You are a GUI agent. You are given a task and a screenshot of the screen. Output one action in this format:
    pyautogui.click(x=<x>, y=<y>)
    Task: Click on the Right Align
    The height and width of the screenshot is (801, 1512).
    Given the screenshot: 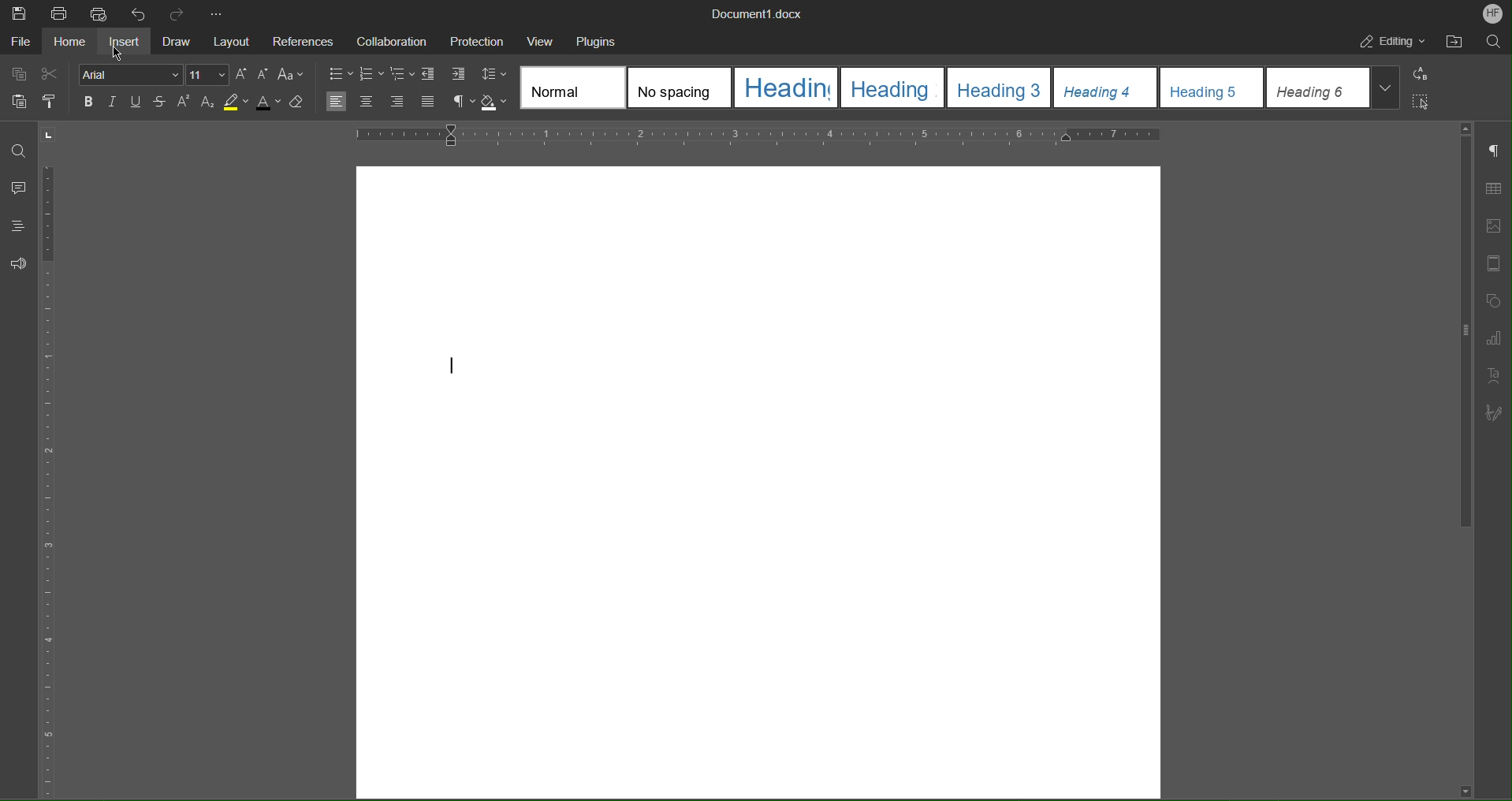 What is the action you would take?
    pyautogui.click(x=397, y=102)
    